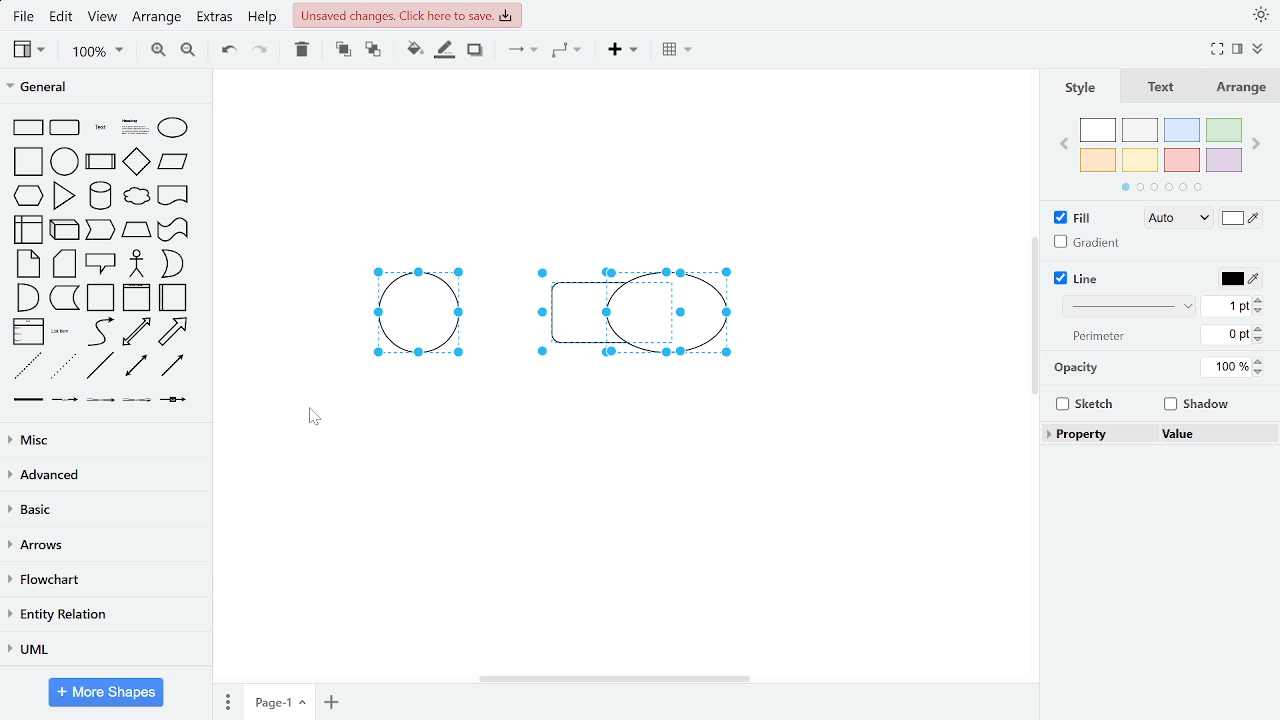 Image resolution: width=1280 pixels, height=720 pixels. What do you see at coordinates (137, 332) in the screenshot?
I see `bidirectional arrow` at bounding box center [137, 332].